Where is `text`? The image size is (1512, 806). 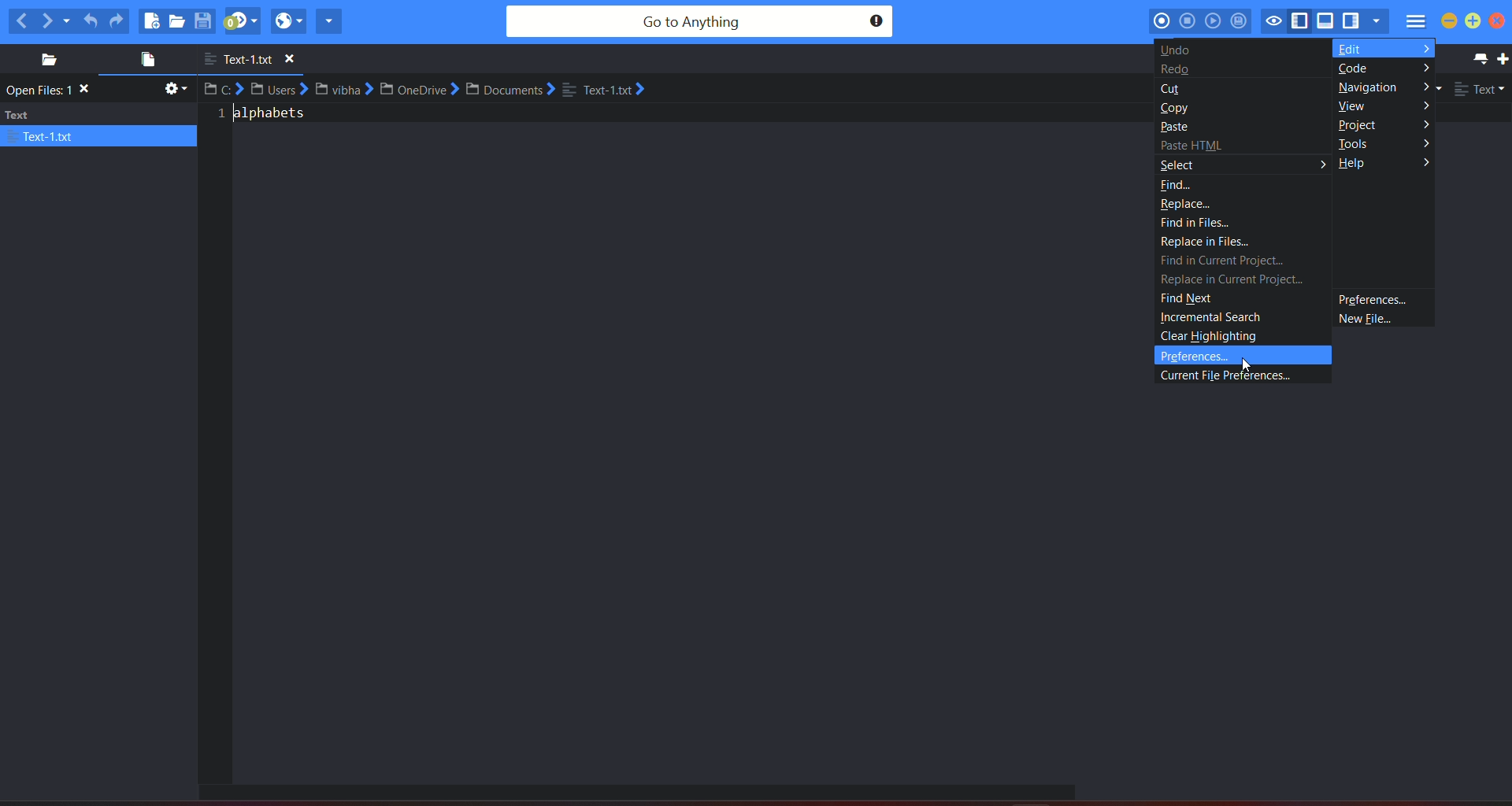 text is located at coordinates (99, 125).